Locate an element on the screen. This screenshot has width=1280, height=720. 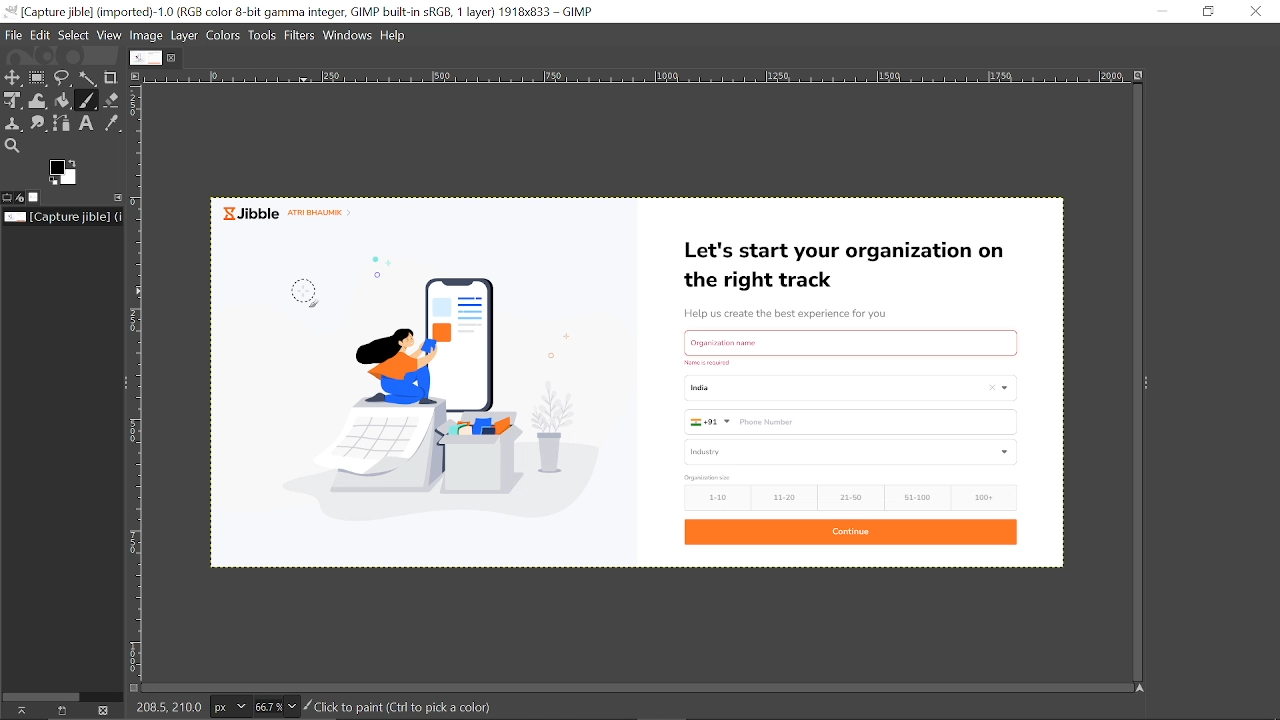
Crop tool is located at coordinates (112, 78).